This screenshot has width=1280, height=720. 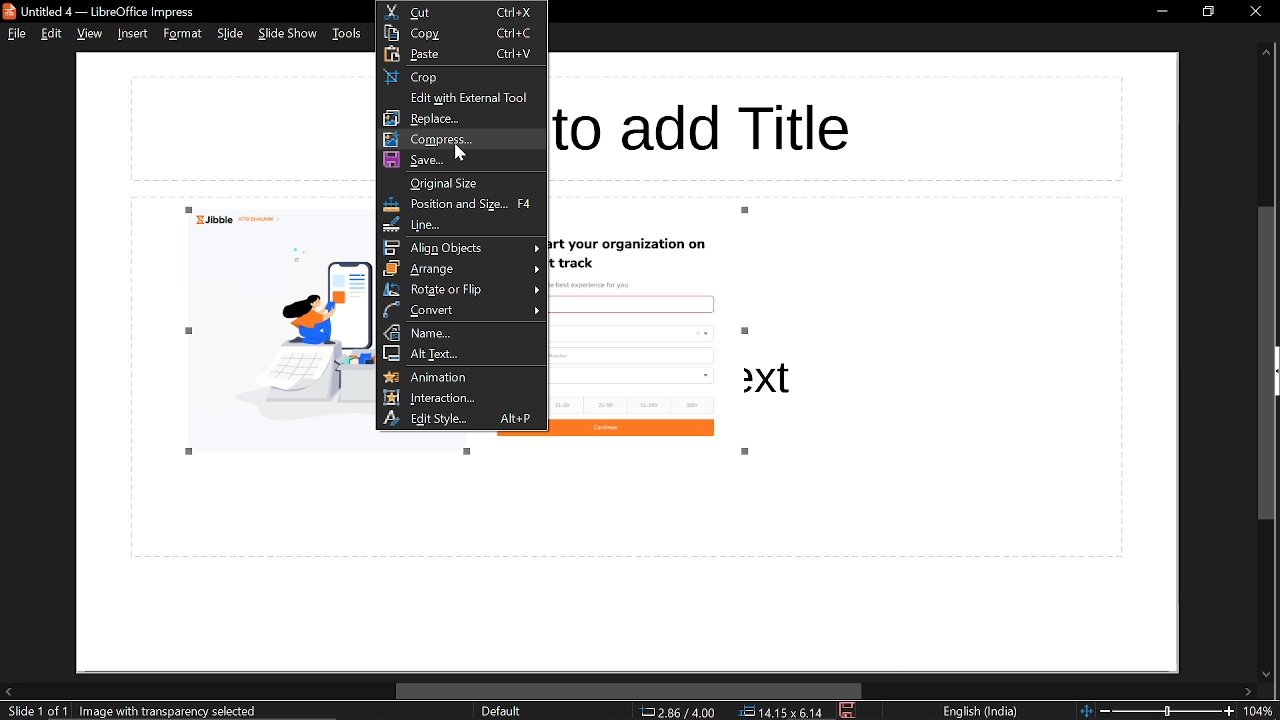 What do you see at coordinates (462, 332) in the screenshot?
I see `name` at bounding box center [462, 332].